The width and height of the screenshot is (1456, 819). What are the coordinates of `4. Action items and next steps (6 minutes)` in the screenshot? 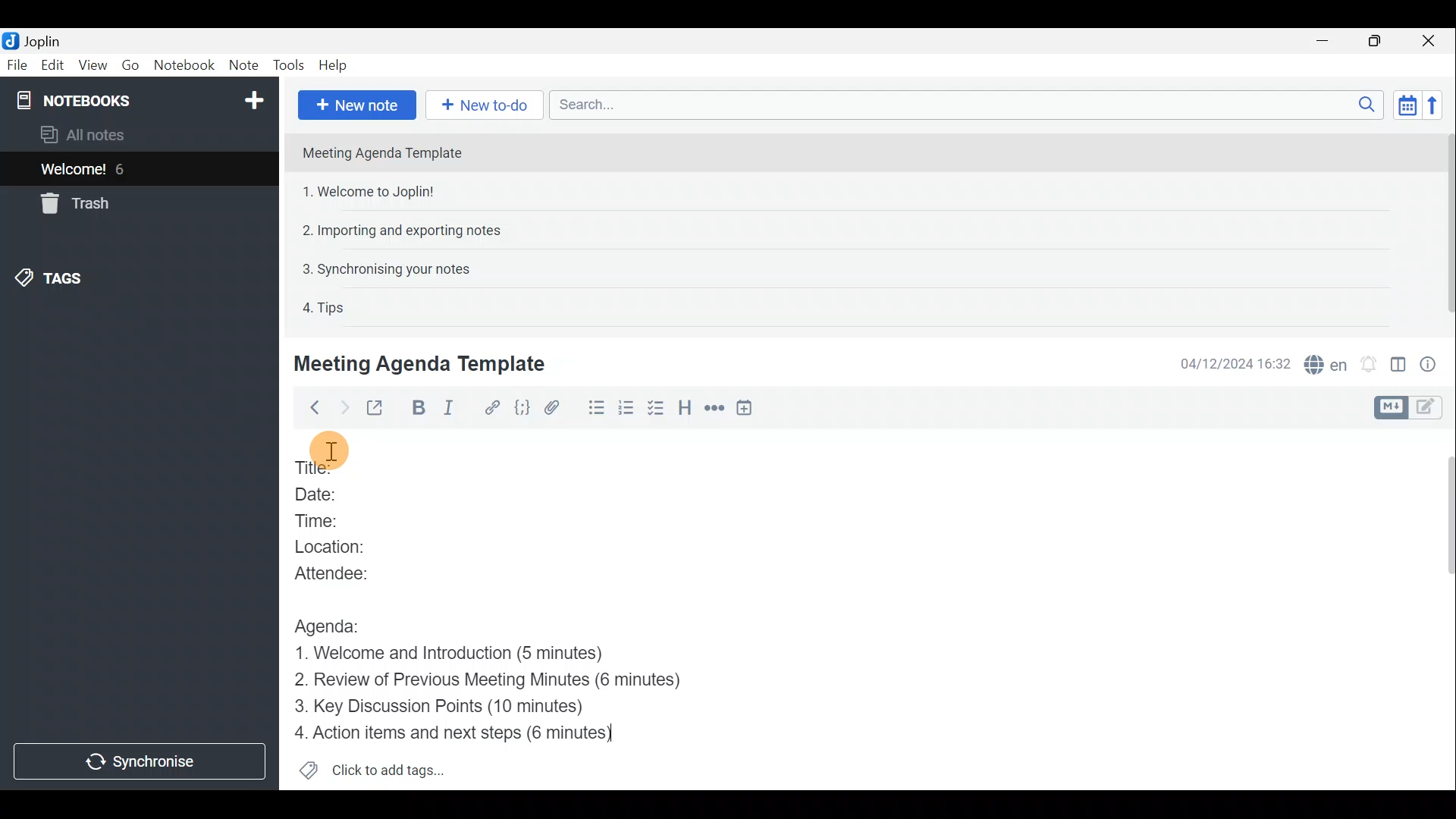 It's located at (474, 735).